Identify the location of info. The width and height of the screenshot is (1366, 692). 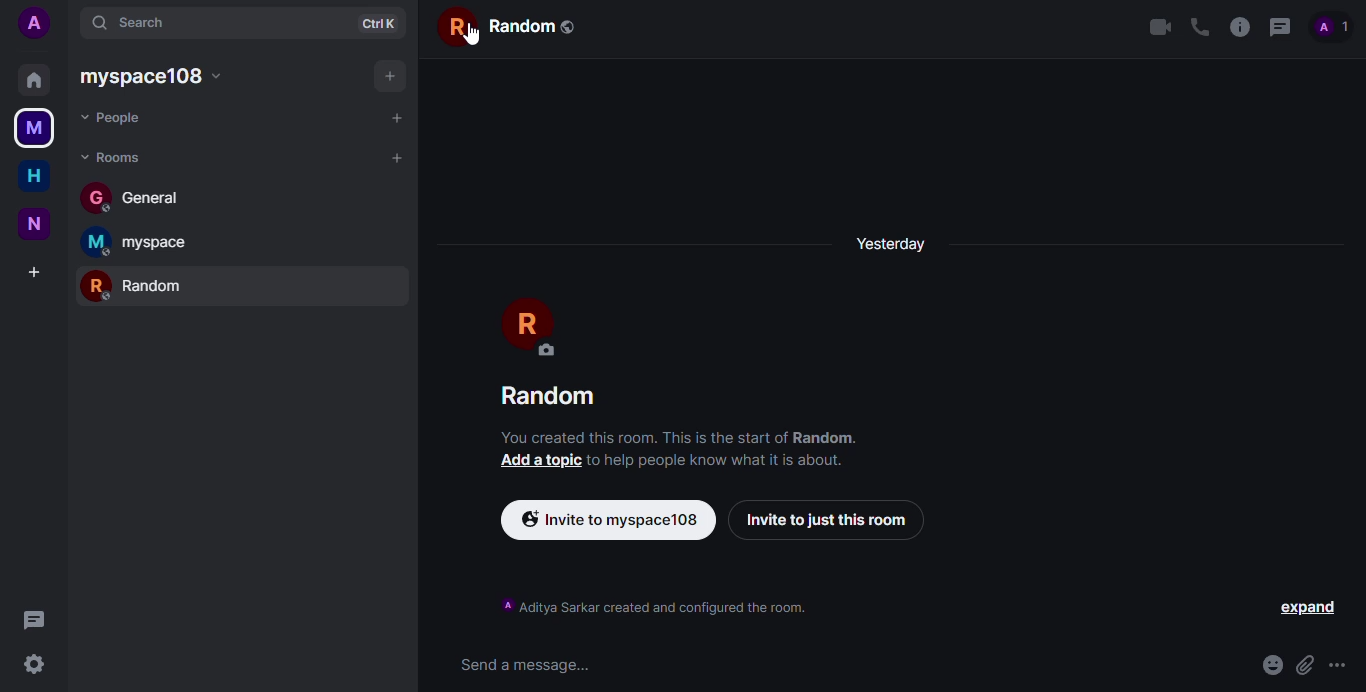
(1240, 27).